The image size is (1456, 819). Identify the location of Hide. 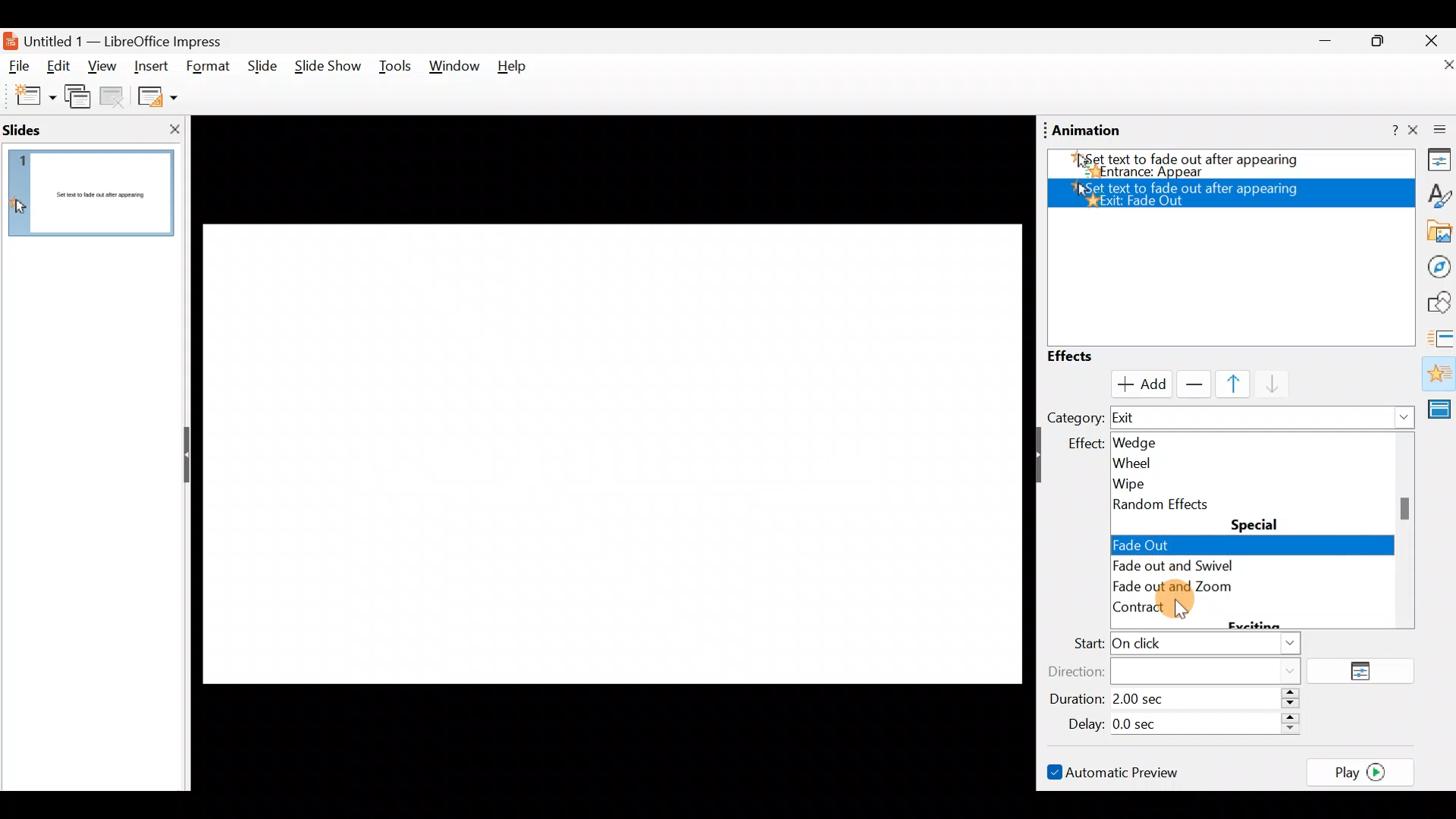
(180, 456).